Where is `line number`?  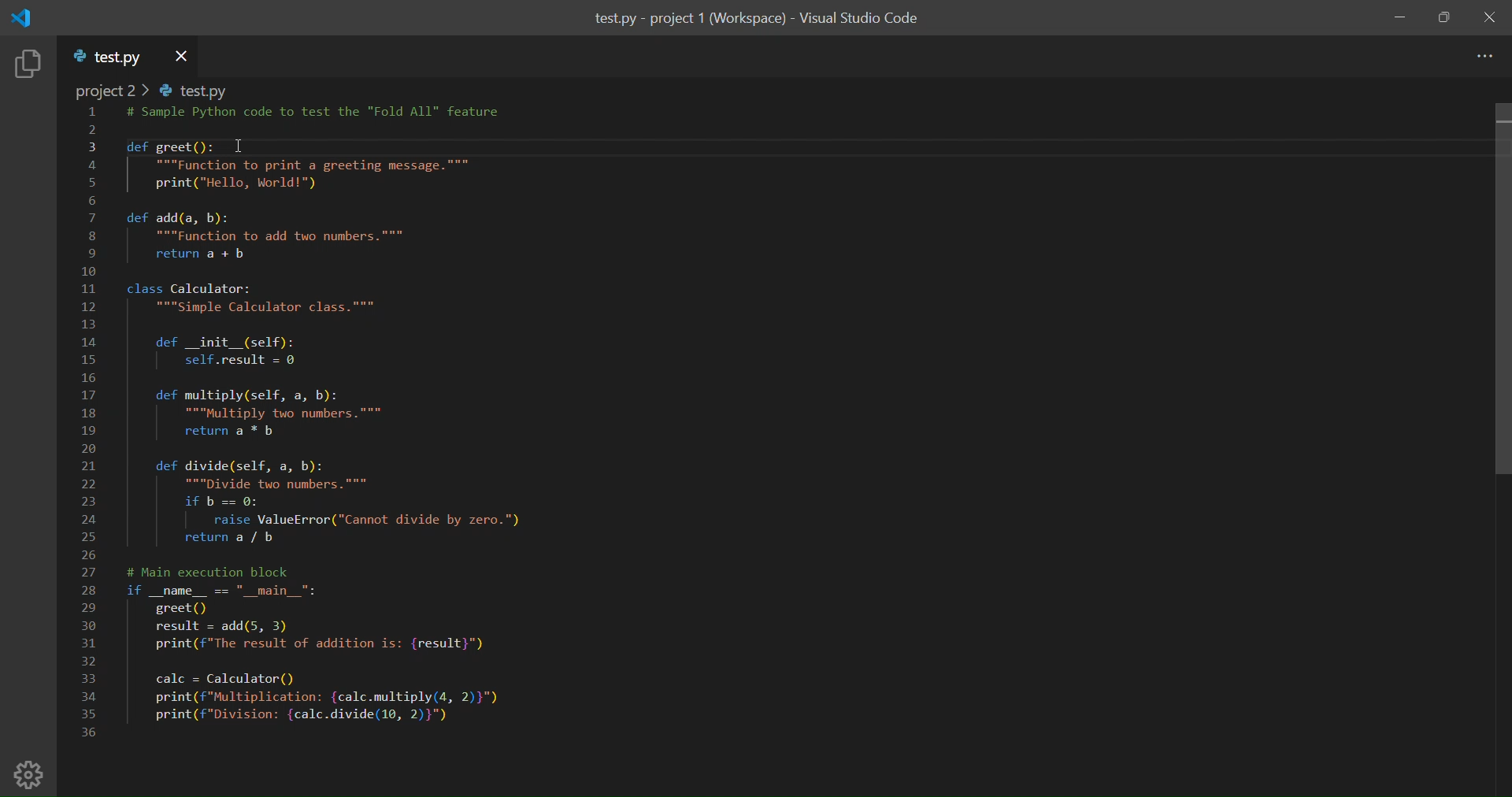 line number is located at coordinates (89, 426).